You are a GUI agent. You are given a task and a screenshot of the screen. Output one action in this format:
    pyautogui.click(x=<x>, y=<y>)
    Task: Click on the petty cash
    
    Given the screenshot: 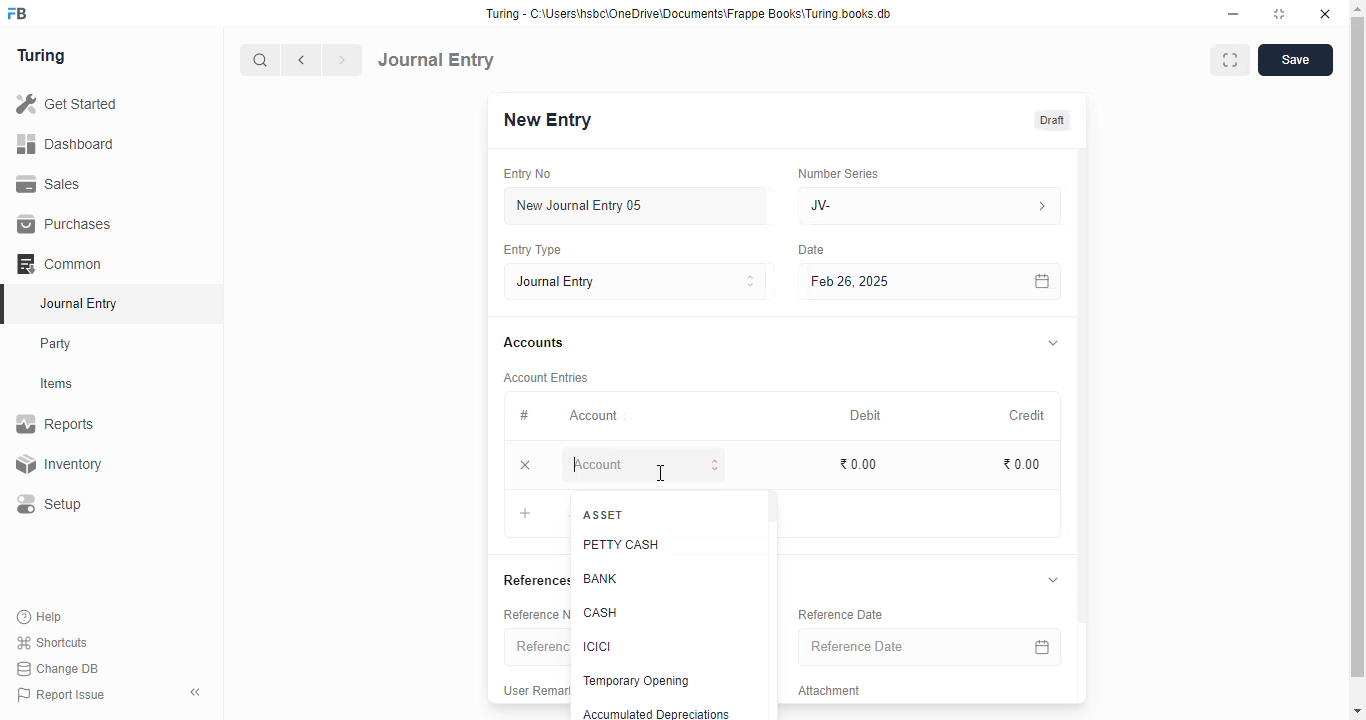 What is the action you would take?
    pyautogui.click(x=622, y=545)
    